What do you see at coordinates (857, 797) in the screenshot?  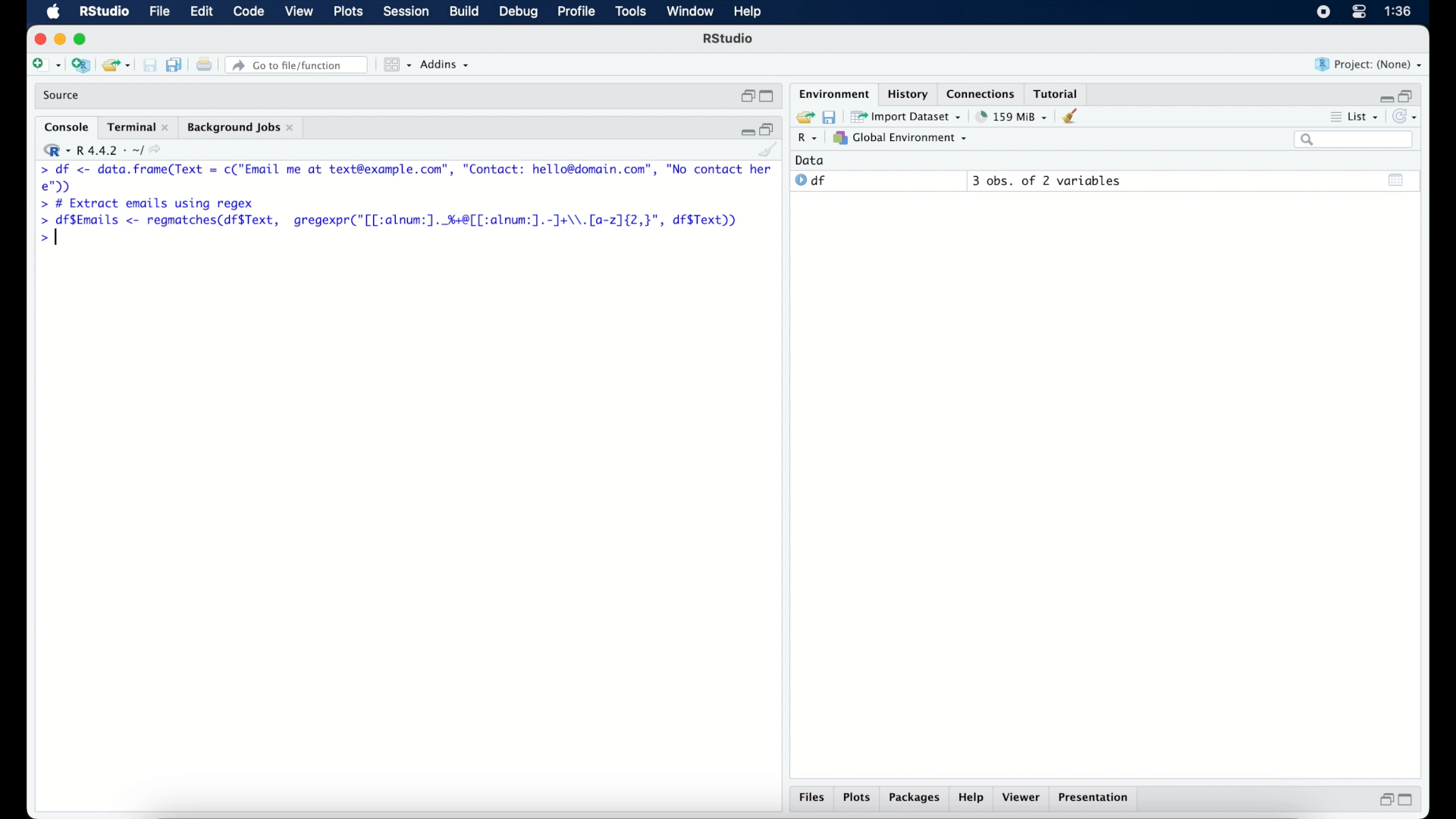 I see `plots` at bounding box center [857, 797].